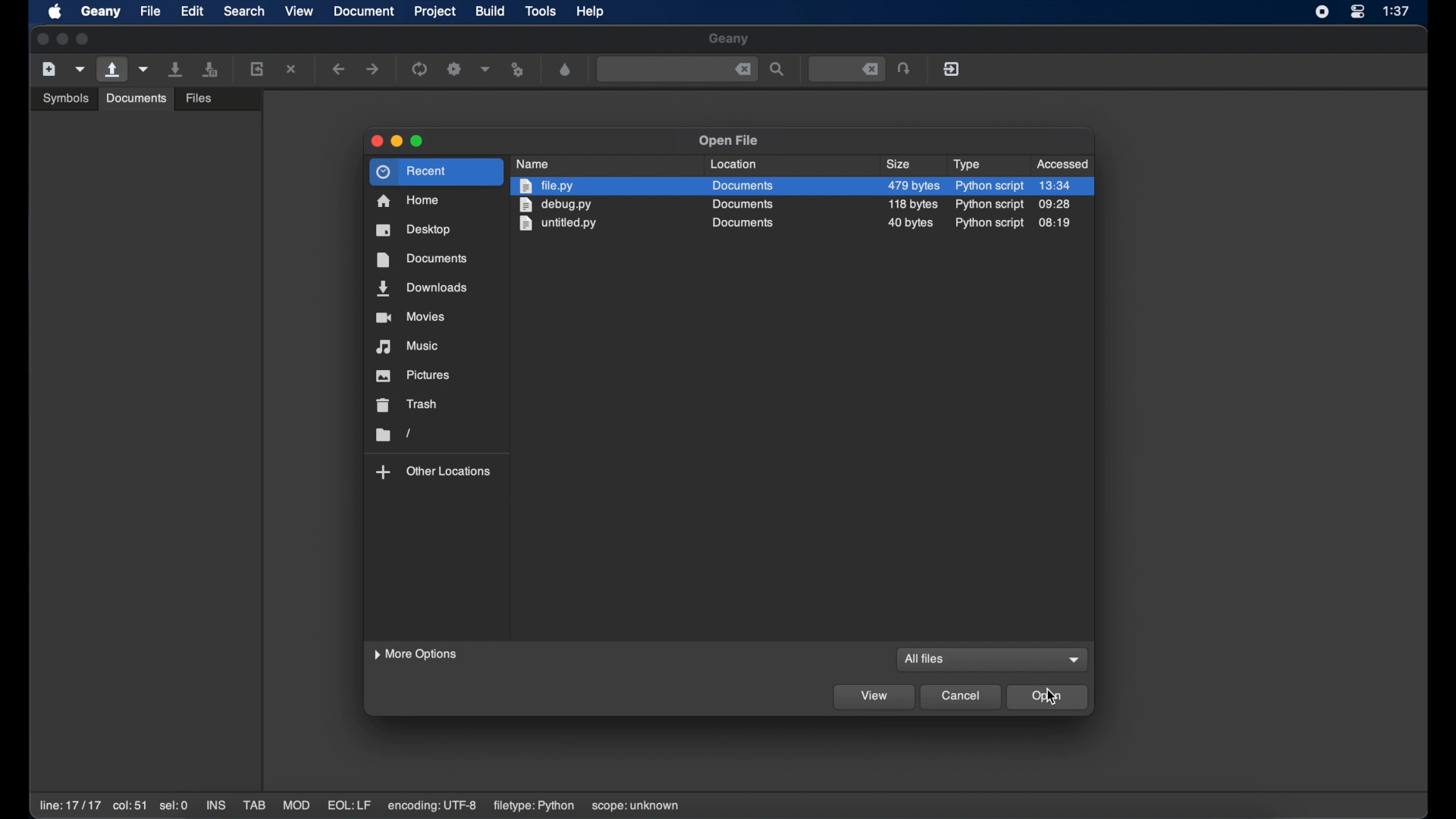 The height and width of the screenshot is (819, 1456). Describe the element at coordinates (350, 805) in the screenshot. I see `eql: lf` at that location.